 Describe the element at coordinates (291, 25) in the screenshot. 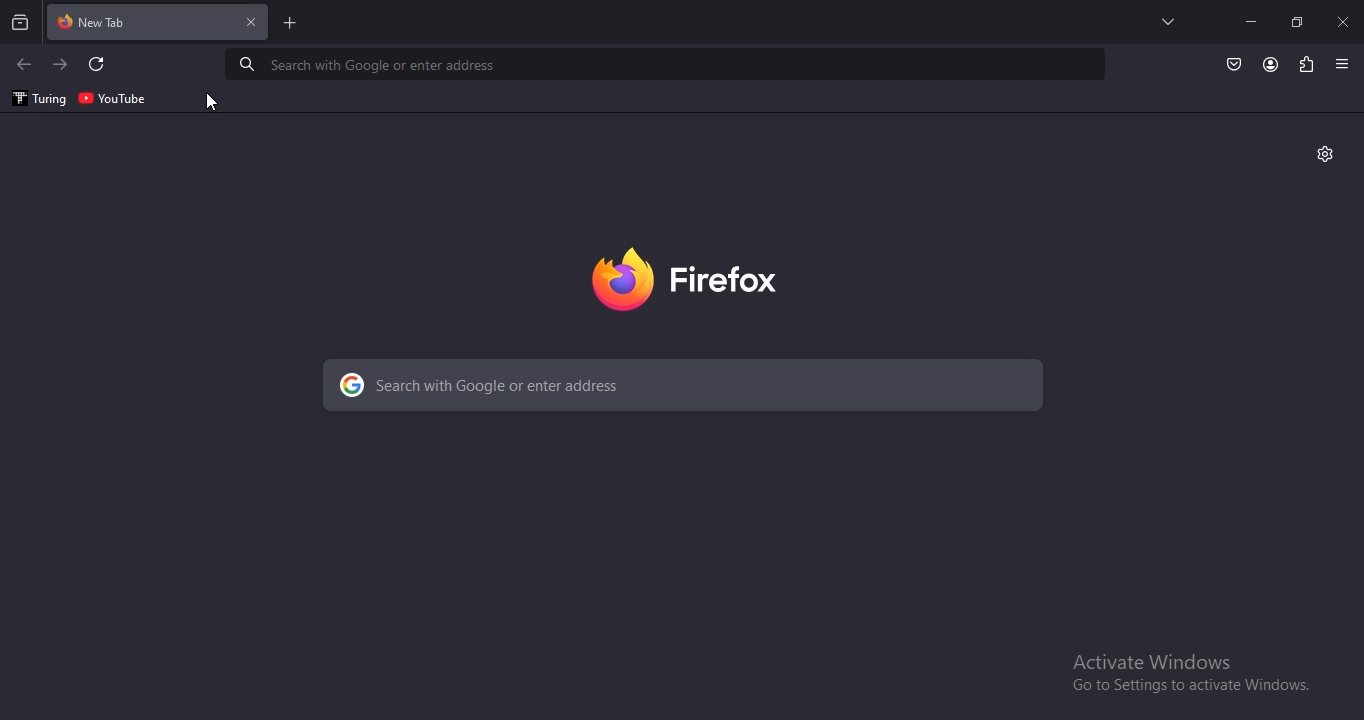

I see `new tab` at that location.